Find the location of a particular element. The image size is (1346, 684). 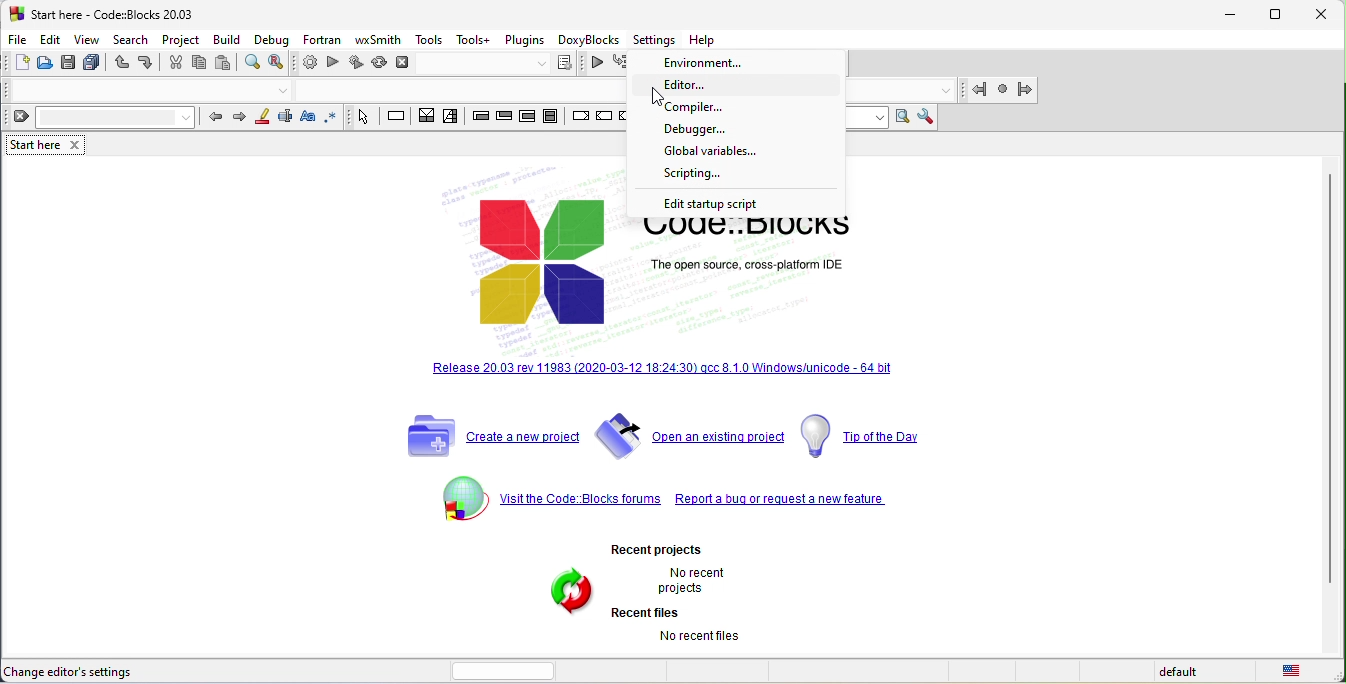

highlight is located at coordinates (266, 118).